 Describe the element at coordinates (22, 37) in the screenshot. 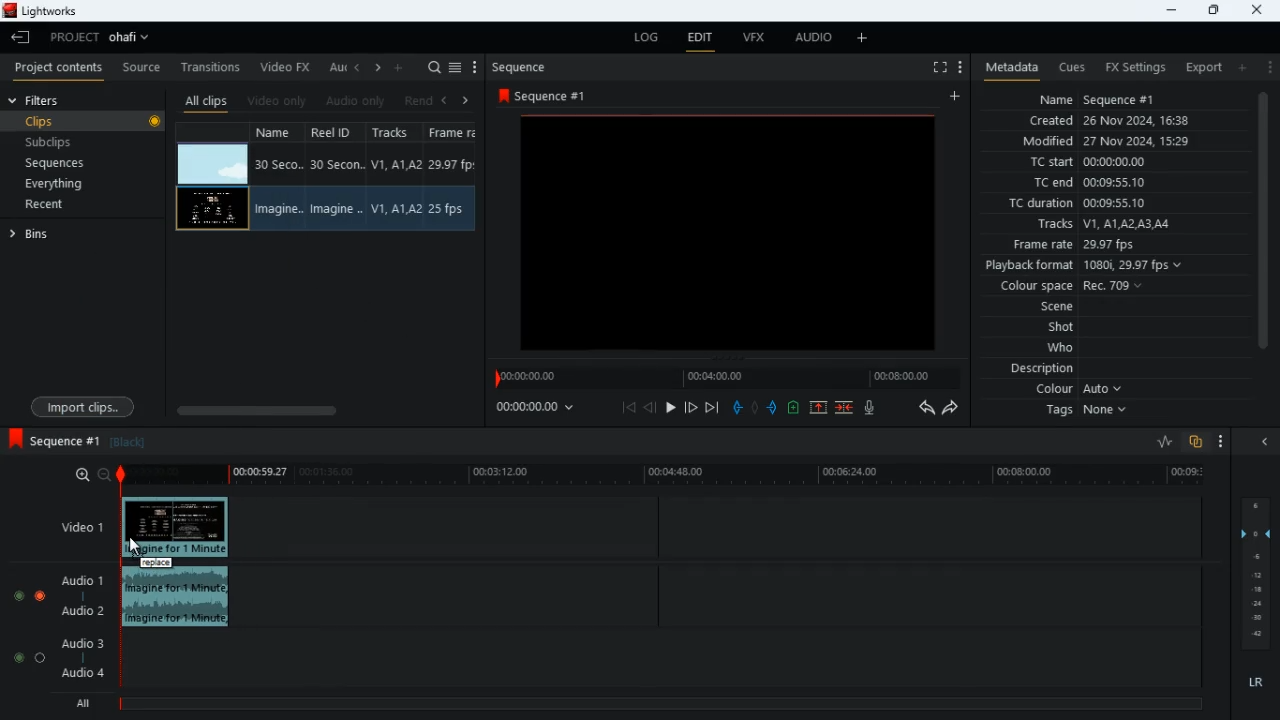

I see `leave` at that location.